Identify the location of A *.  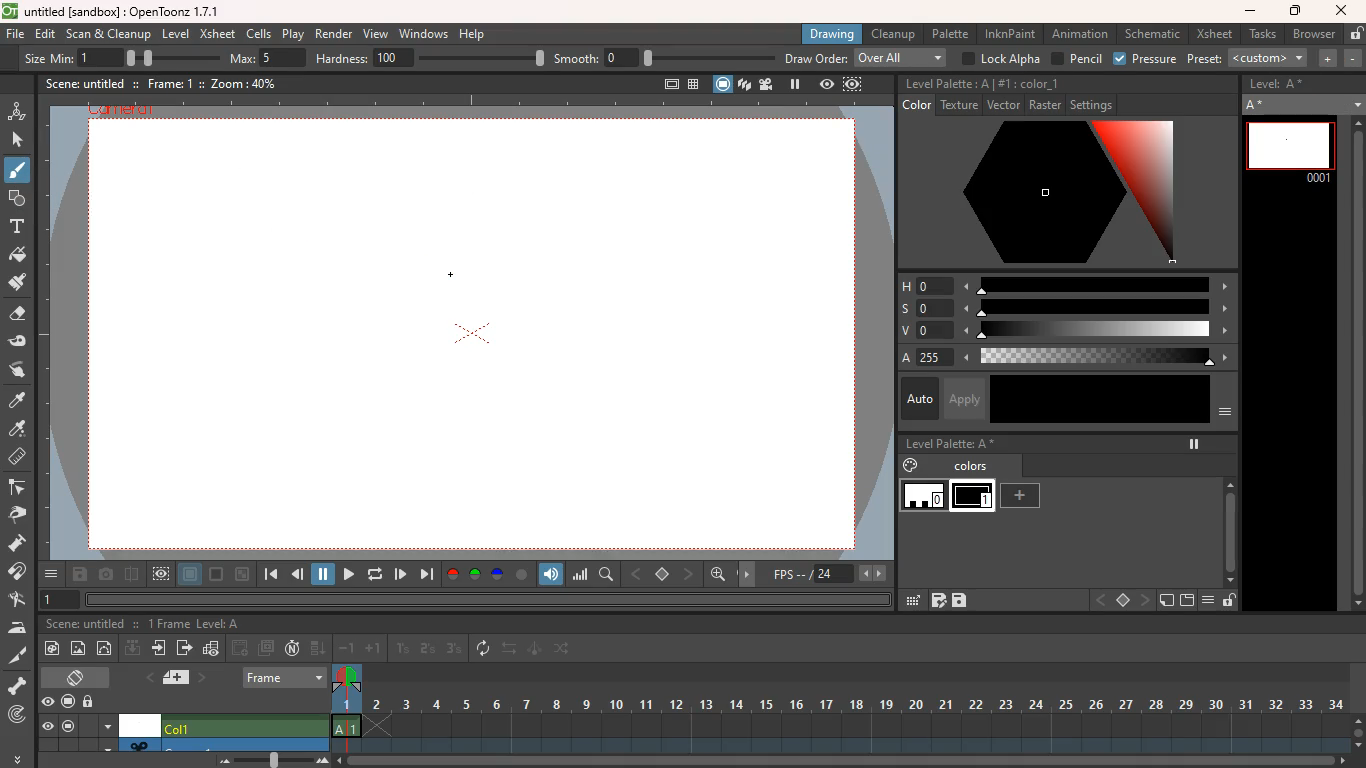
(1303, 104).